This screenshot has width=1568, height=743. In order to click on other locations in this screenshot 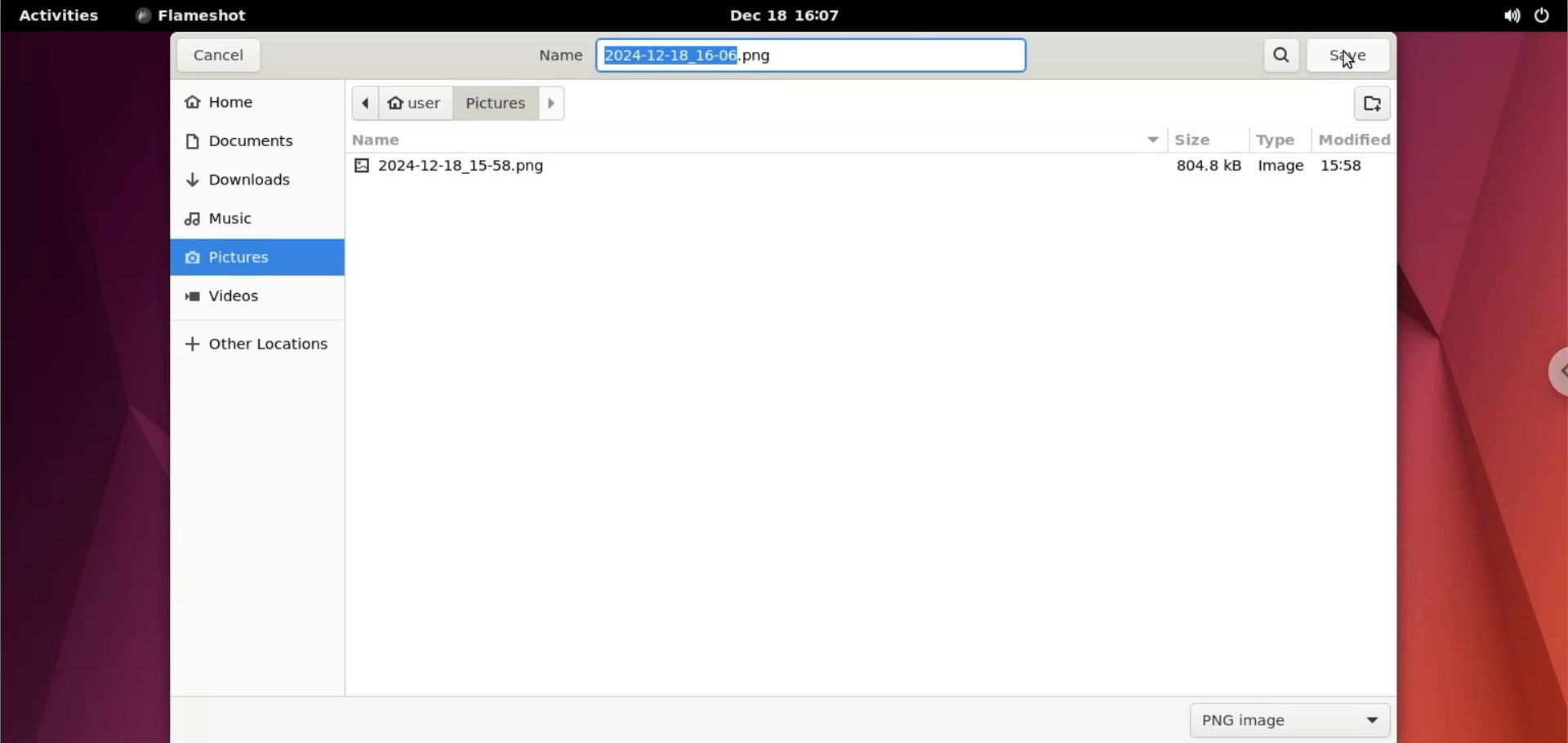, I will do `click(266, 346)`.